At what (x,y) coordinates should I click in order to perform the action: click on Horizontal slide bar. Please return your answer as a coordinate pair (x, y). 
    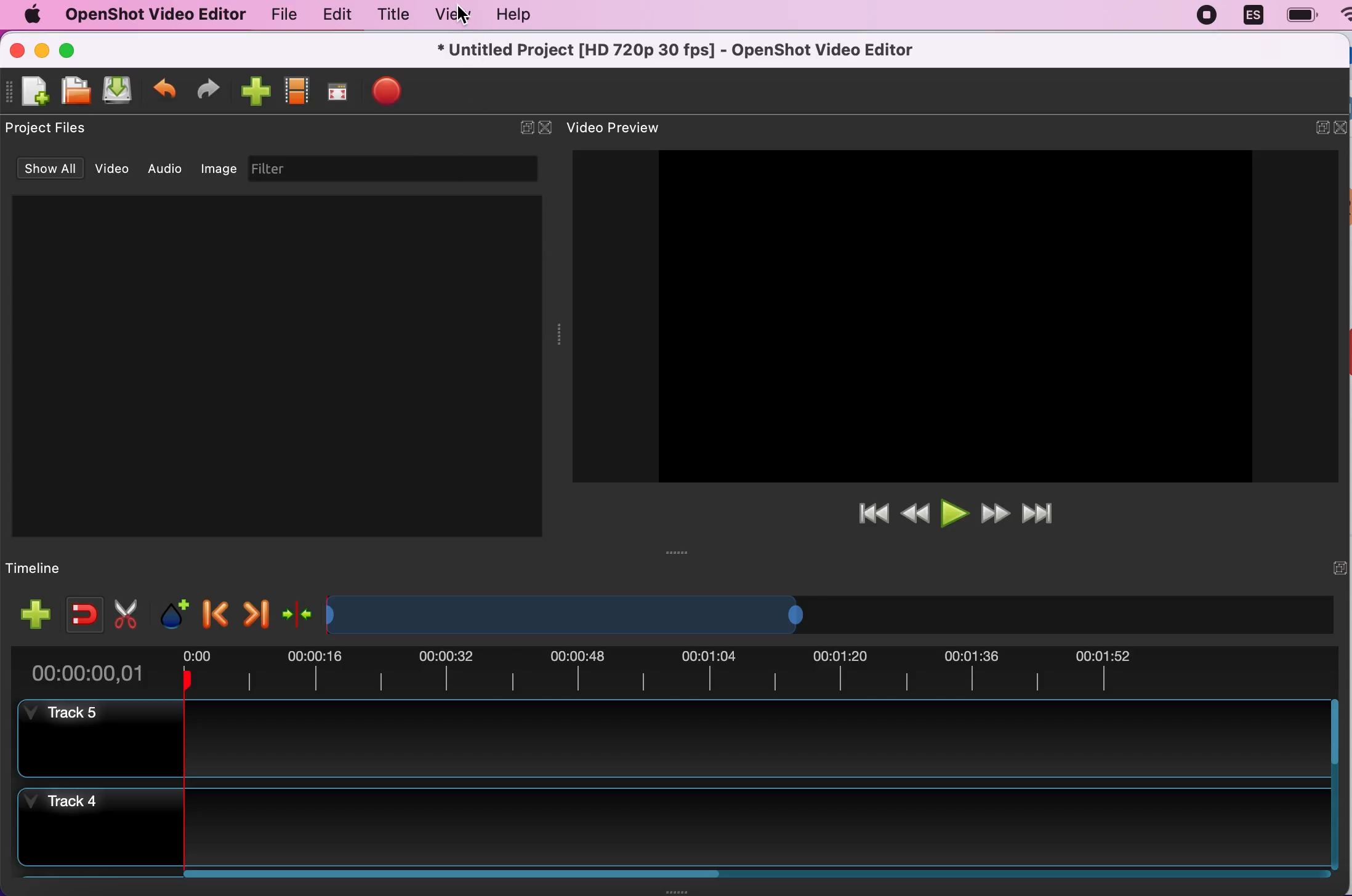
    Looking at the image, I should click on (742, 874).